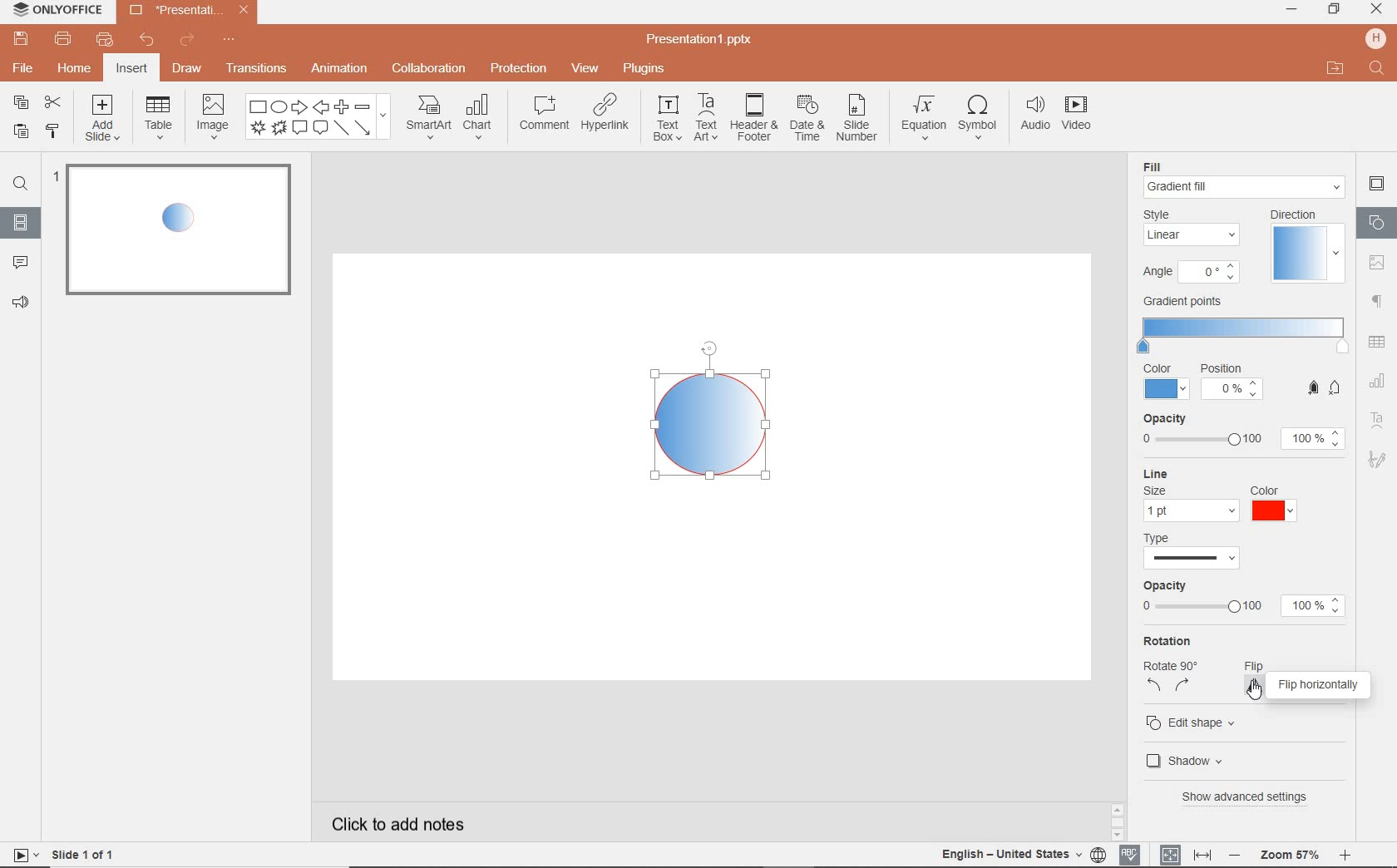  Describe the element at coordinates (1380, 261) in the screenshot. I see `image settings` at that location.